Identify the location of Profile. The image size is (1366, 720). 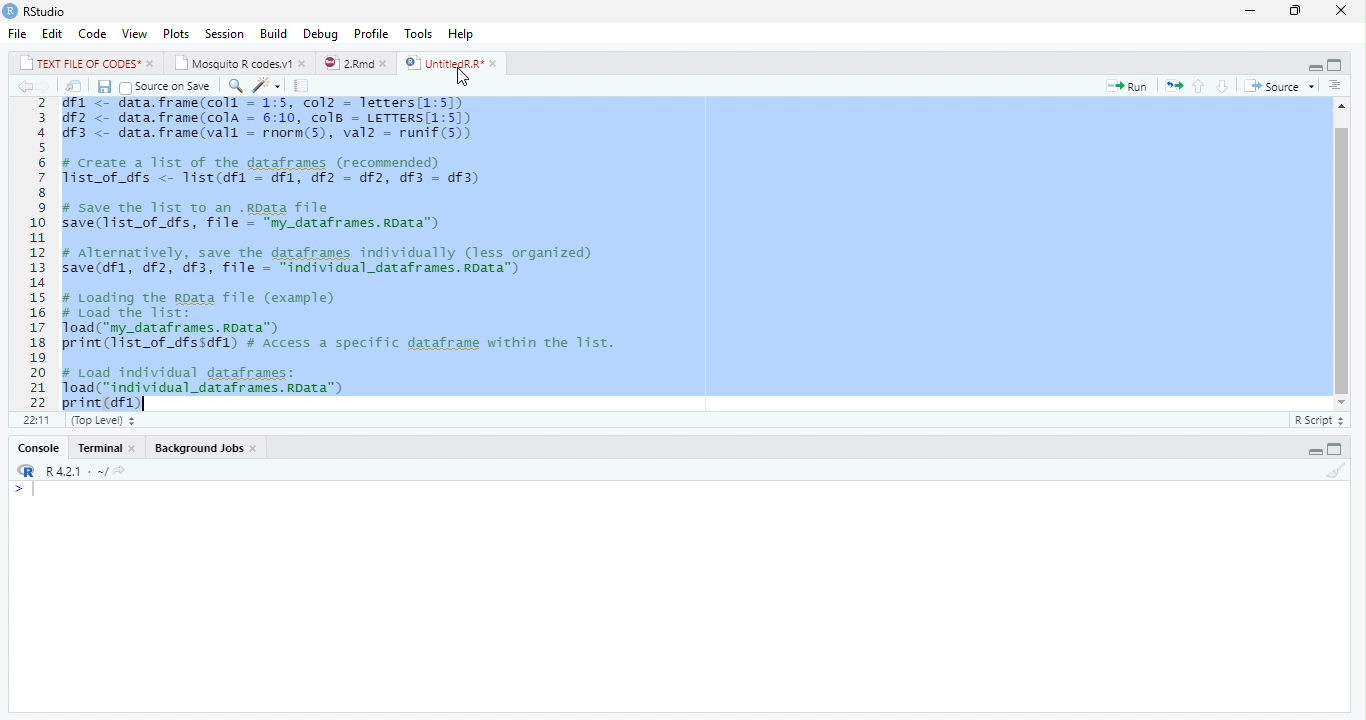
(372, 33).